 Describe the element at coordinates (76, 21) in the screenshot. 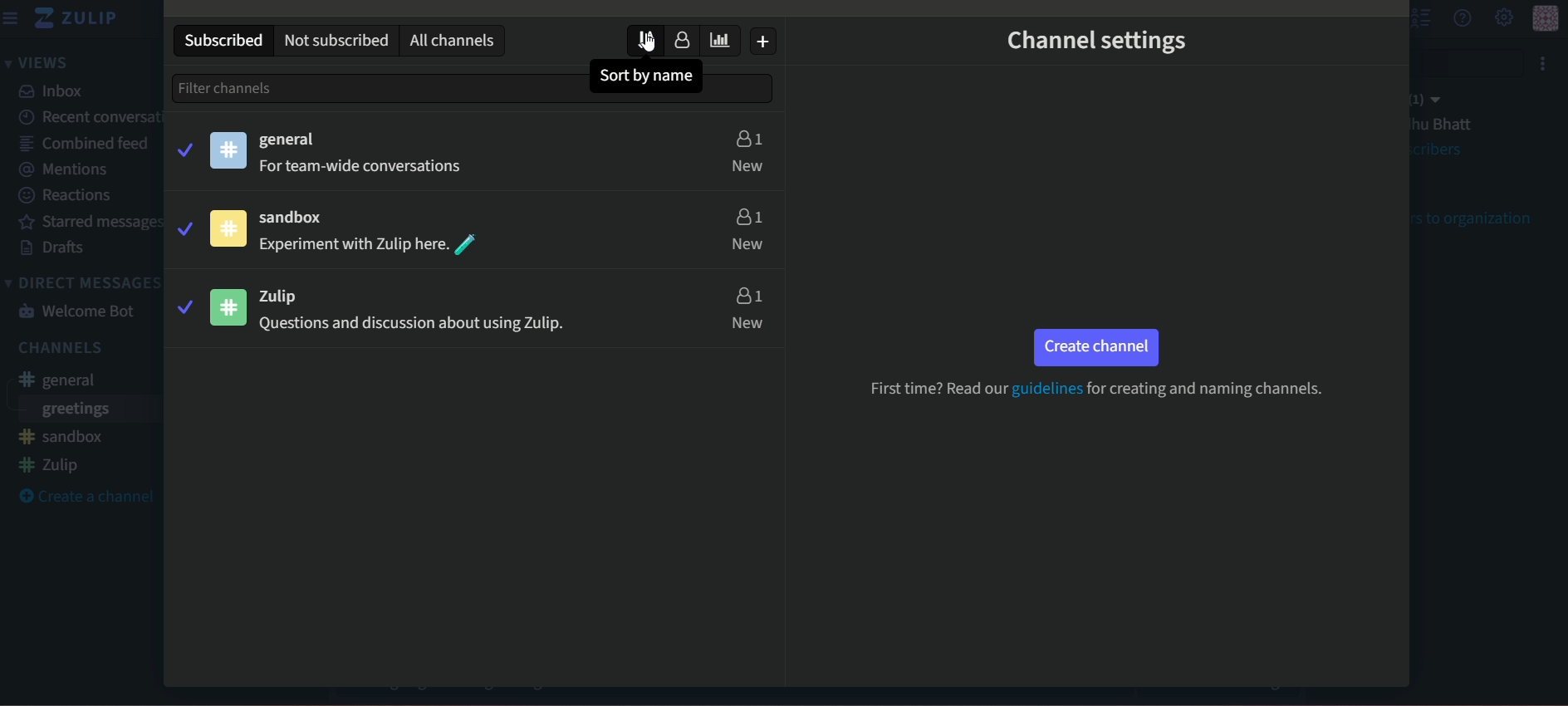

I see `name and logo` at that location.